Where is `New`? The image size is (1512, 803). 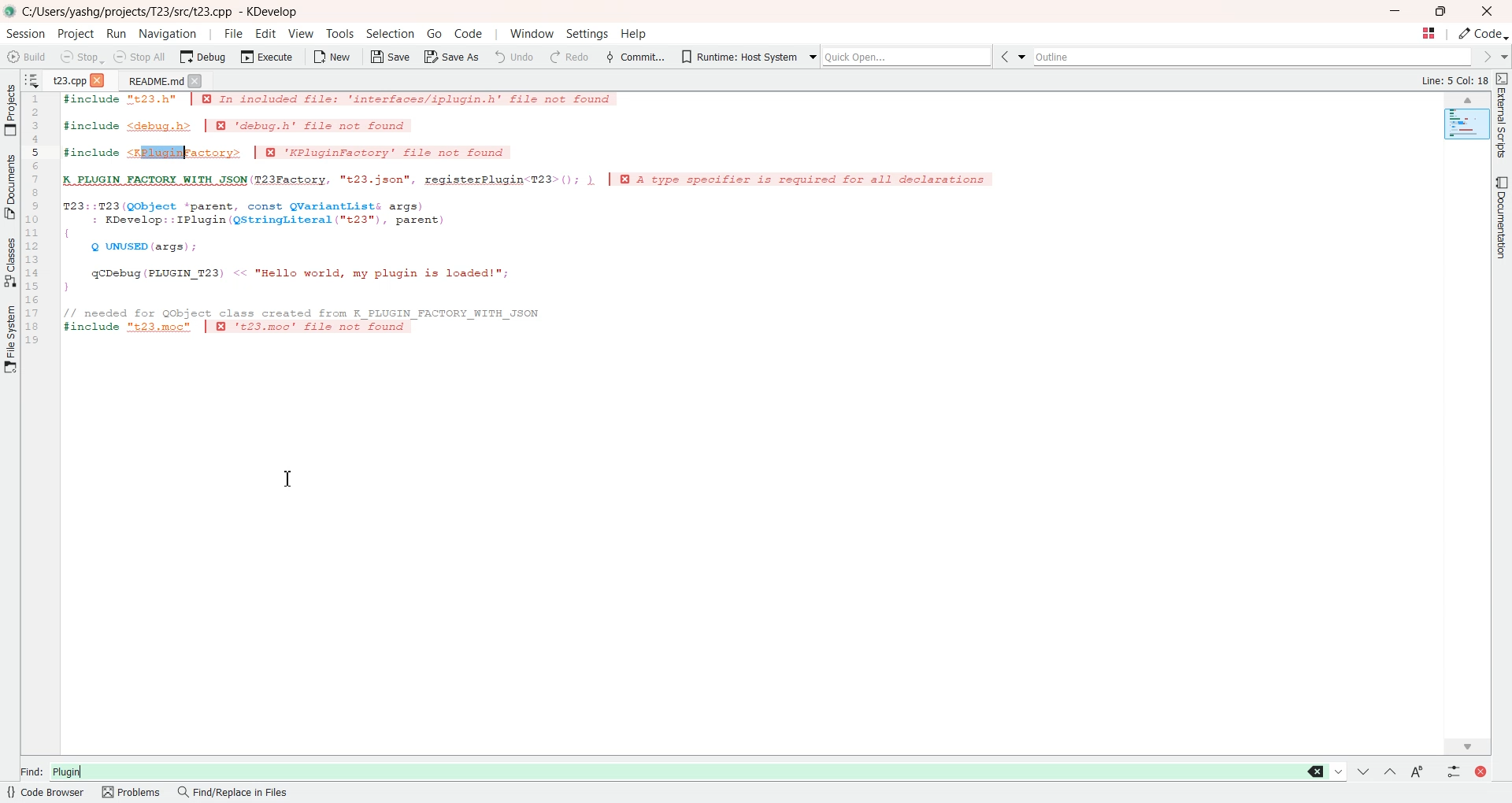
New is located at coordinates (333, 56).